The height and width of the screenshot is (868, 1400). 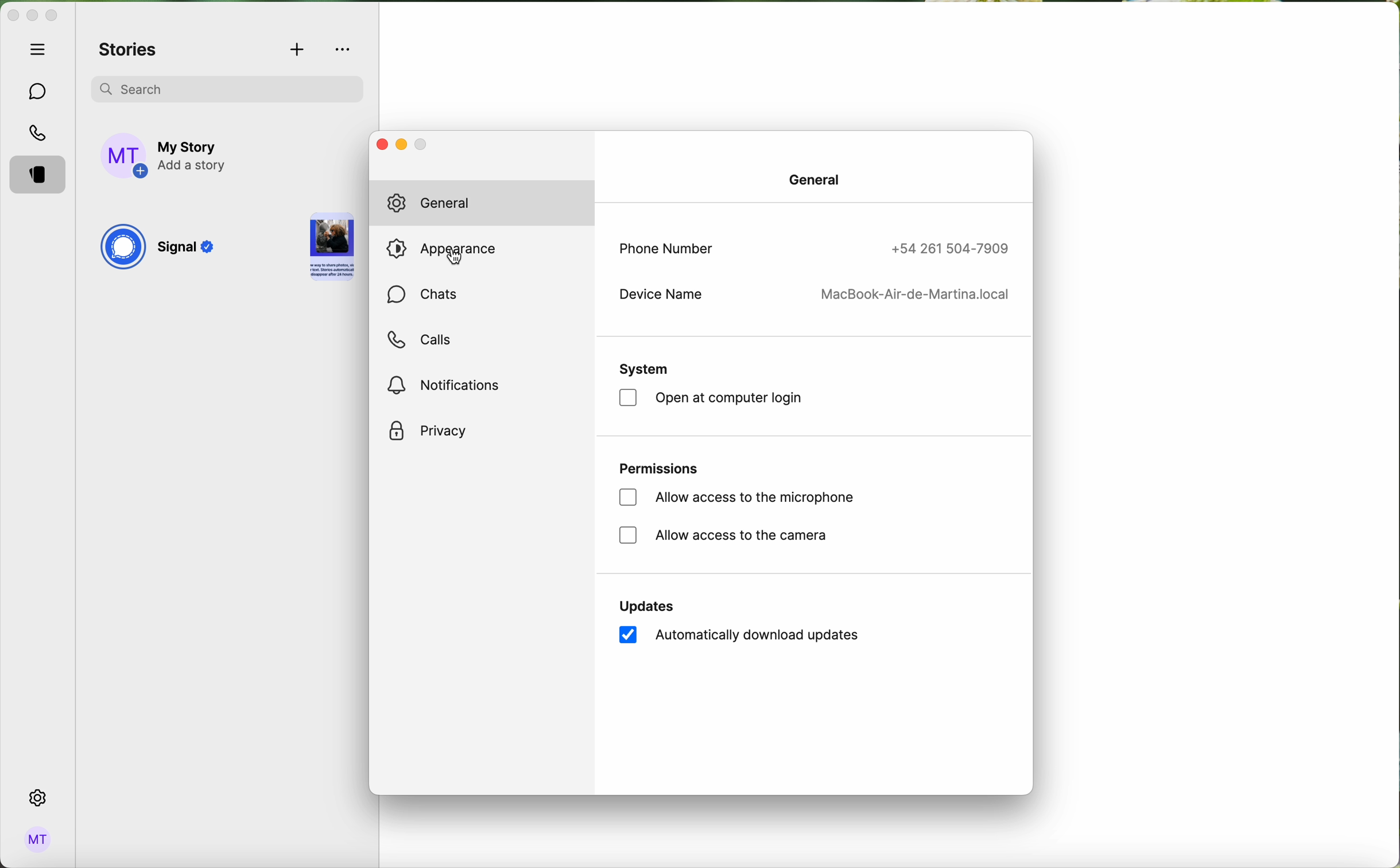 What do you see at coordinates (332, 249) in the screenshot?
I see `story` at bounding box center [332, 249].